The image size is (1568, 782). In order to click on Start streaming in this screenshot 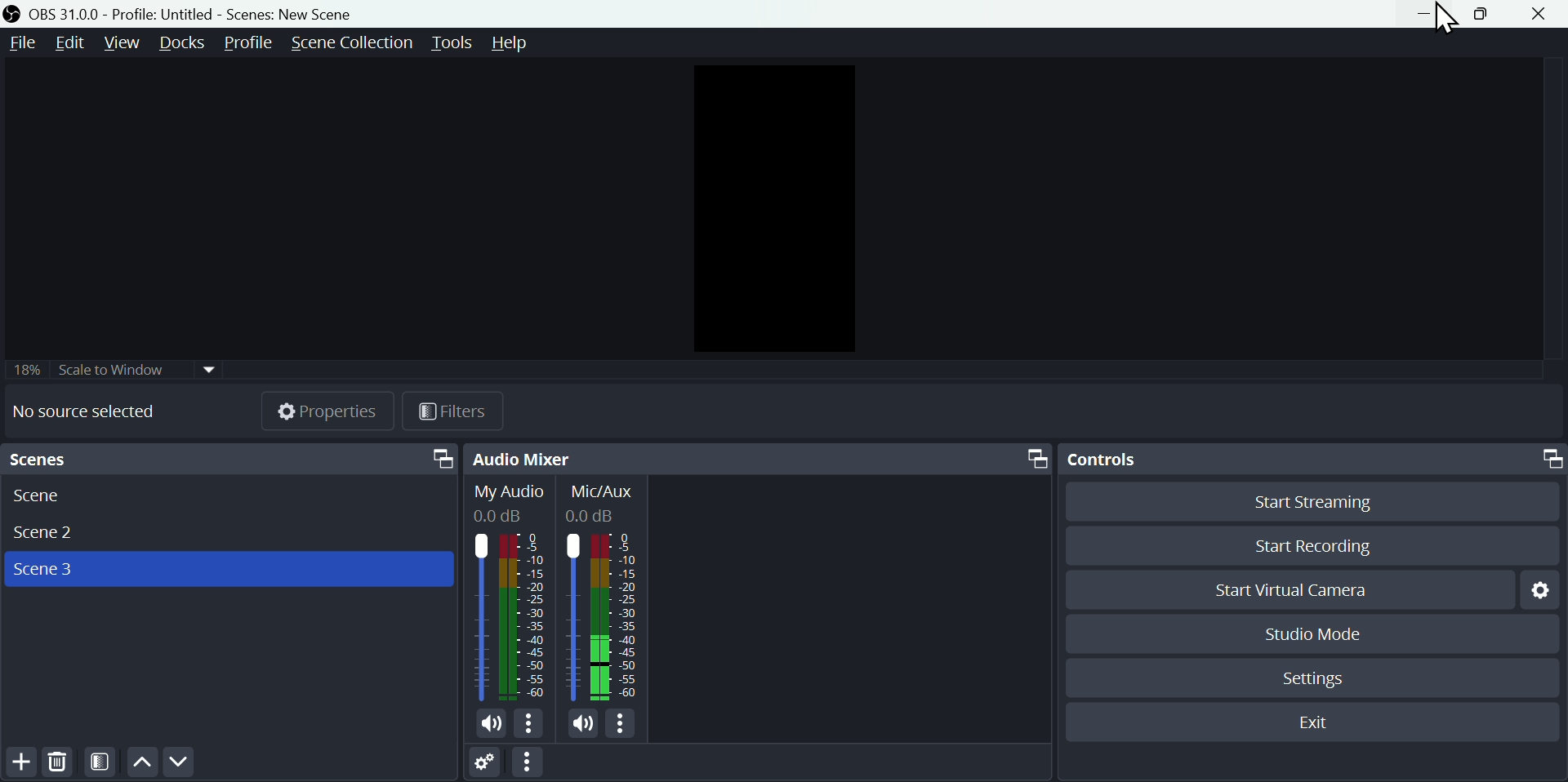, I will do `click(1311, 504)`.